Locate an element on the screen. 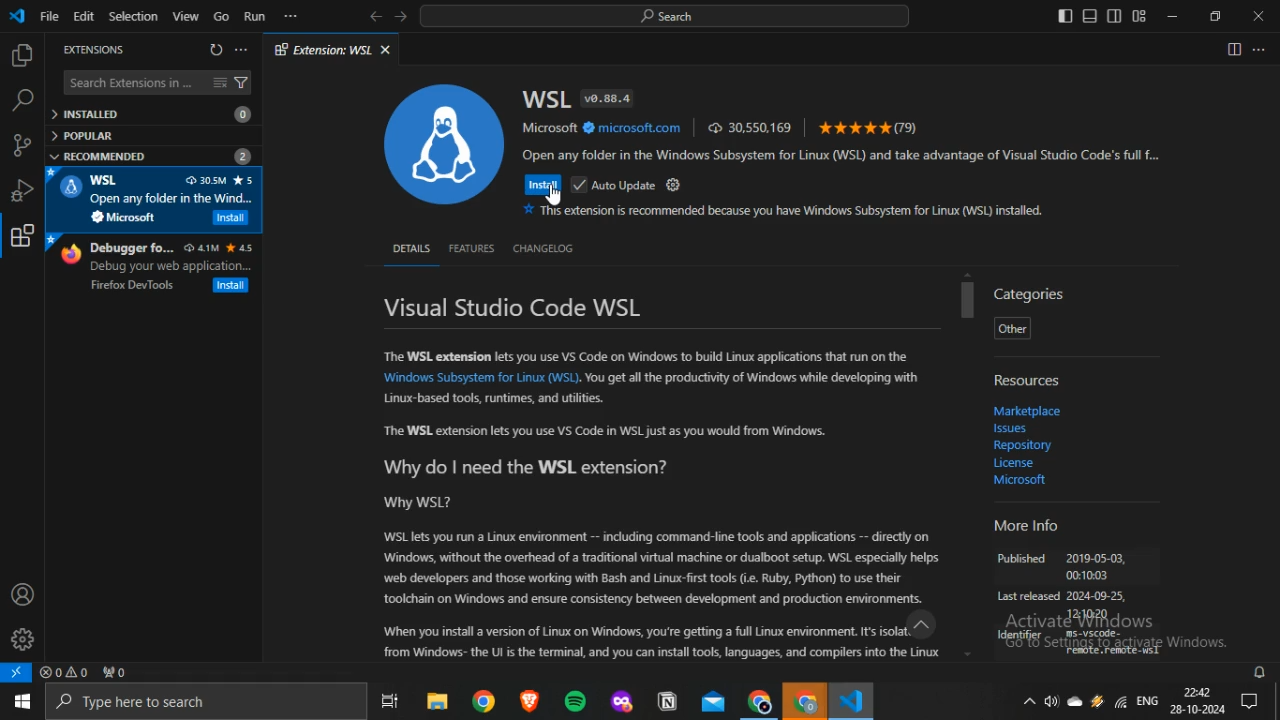 The image size is (1280, 720). notifications is located at coordinates (1261, 672).